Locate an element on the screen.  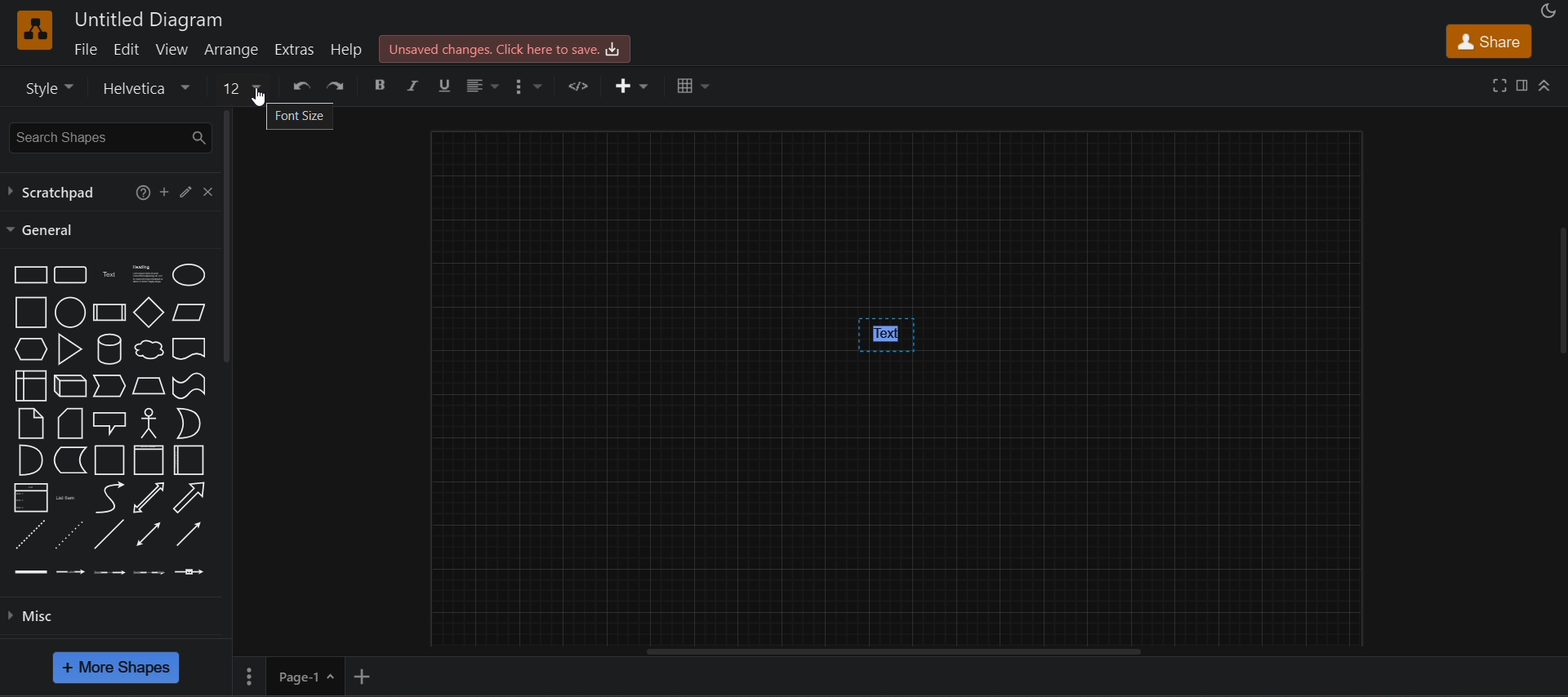
Hexagon is located at coordinates (31, 349).